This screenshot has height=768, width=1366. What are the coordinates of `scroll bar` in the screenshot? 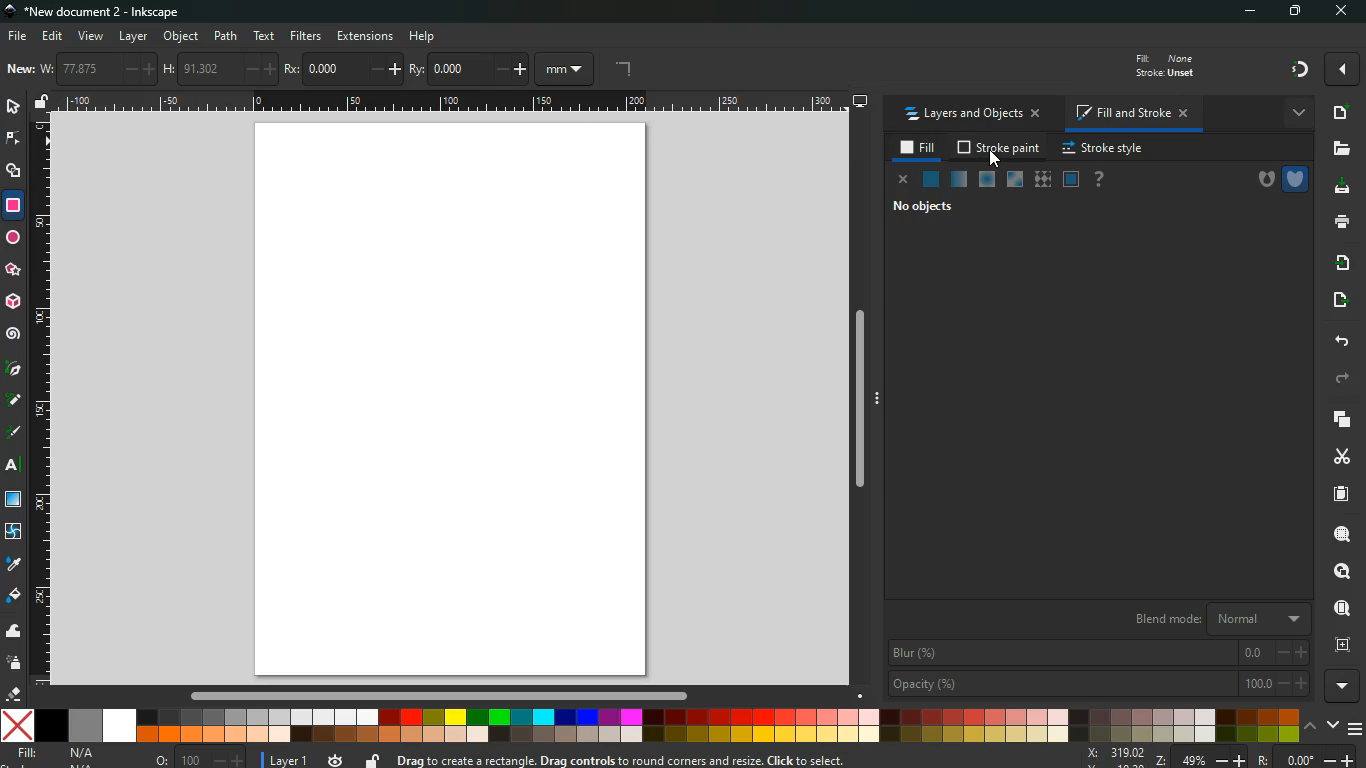 It's located at (434, 696).